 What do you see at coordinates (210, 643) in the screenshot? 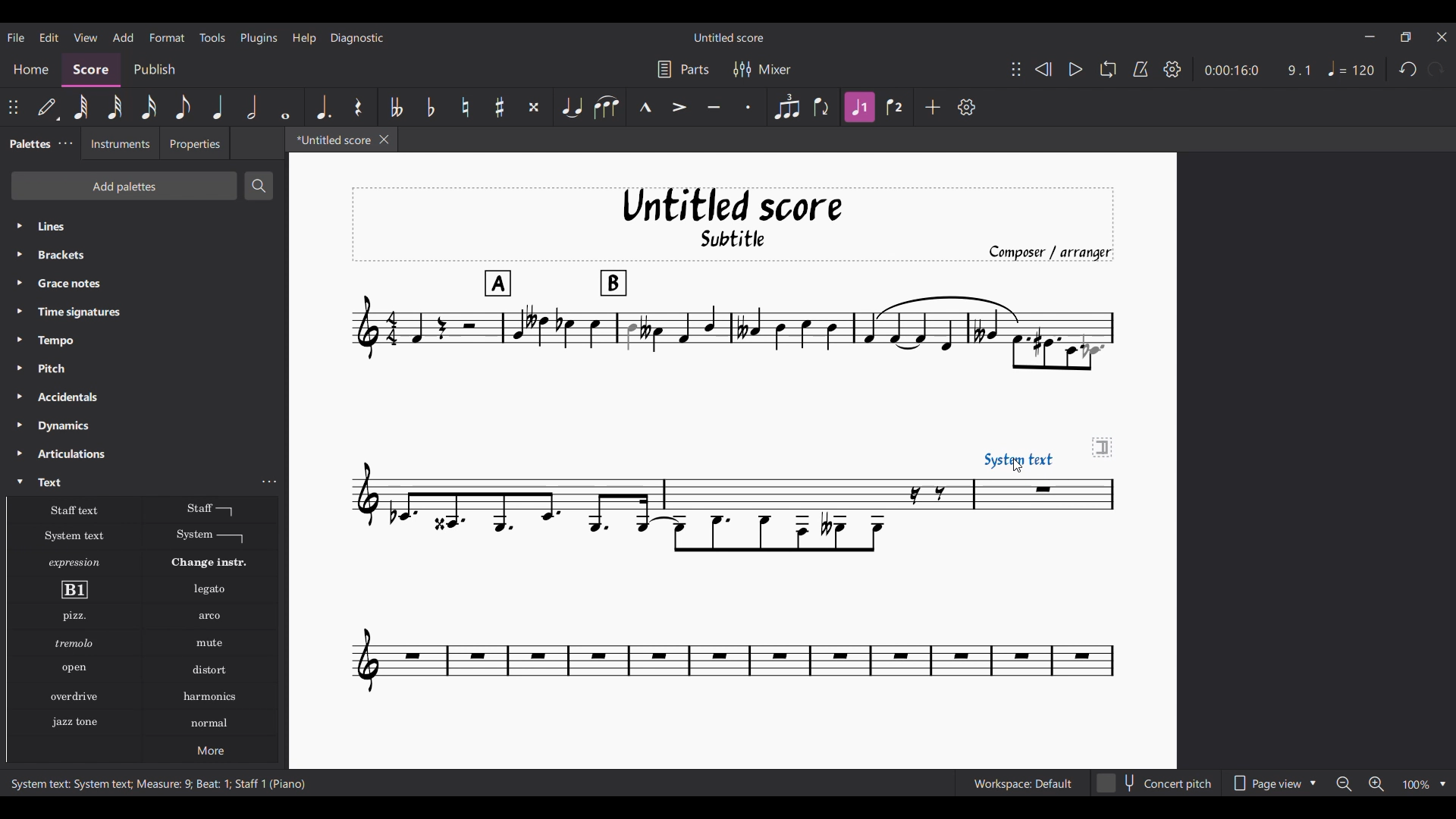
I see `Mute` at bounding box center [210, 643].